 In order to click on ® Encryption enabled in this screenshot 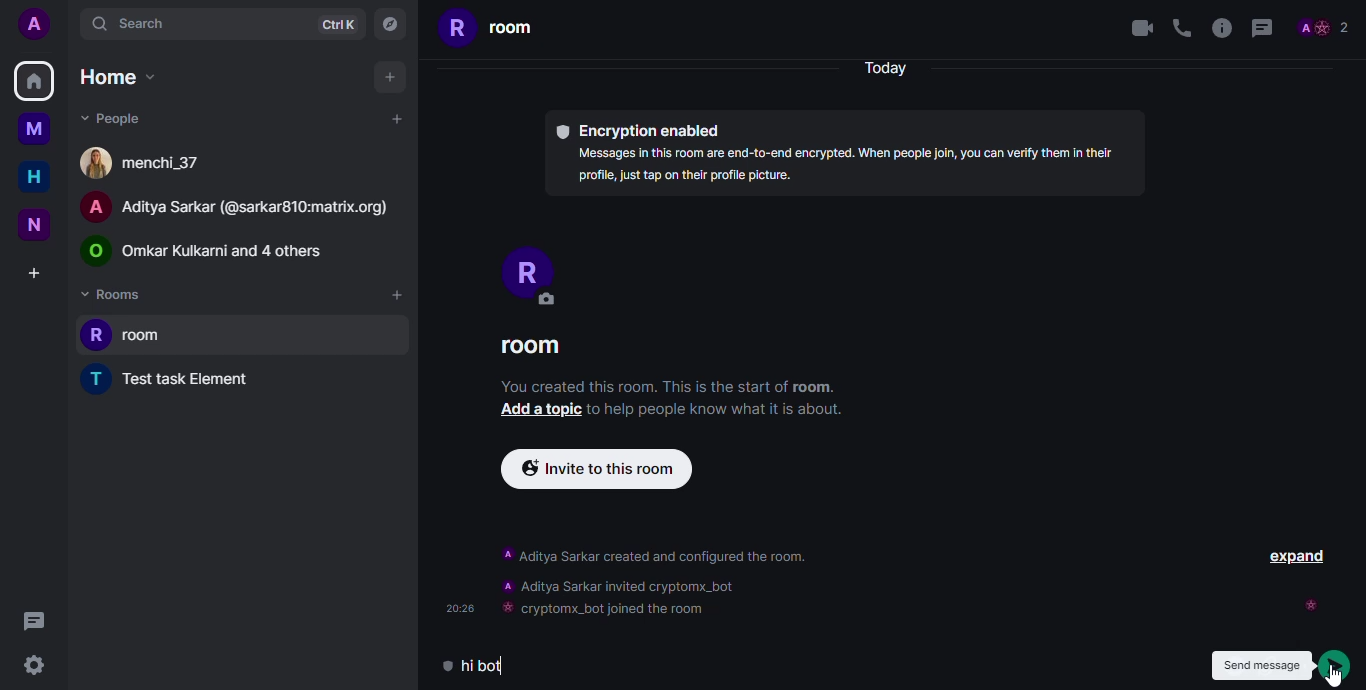, I will do `click(642, 127)`.